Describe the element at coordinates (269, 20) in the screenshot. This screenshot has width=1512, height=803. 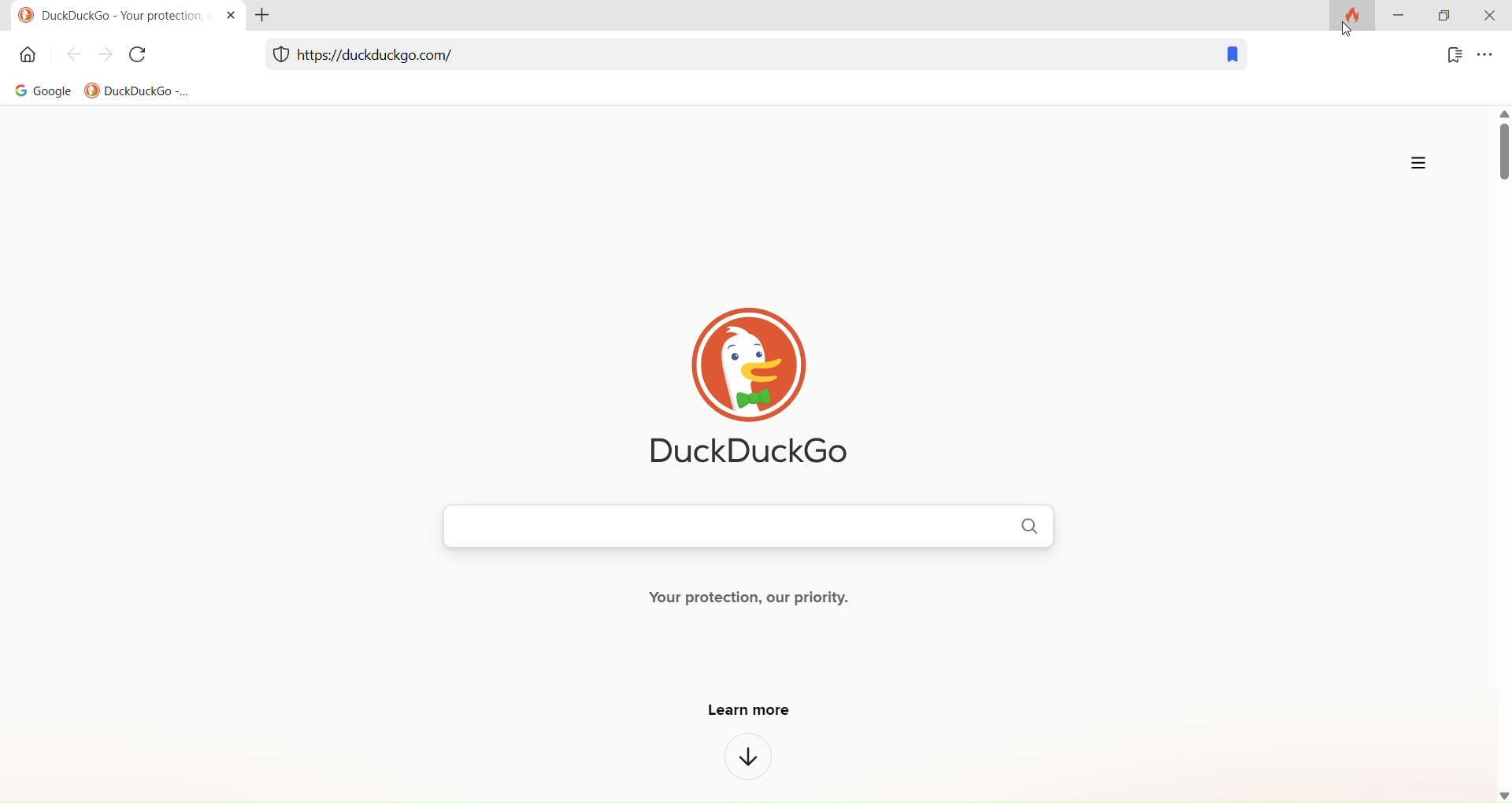
I see `add tab` at that location.